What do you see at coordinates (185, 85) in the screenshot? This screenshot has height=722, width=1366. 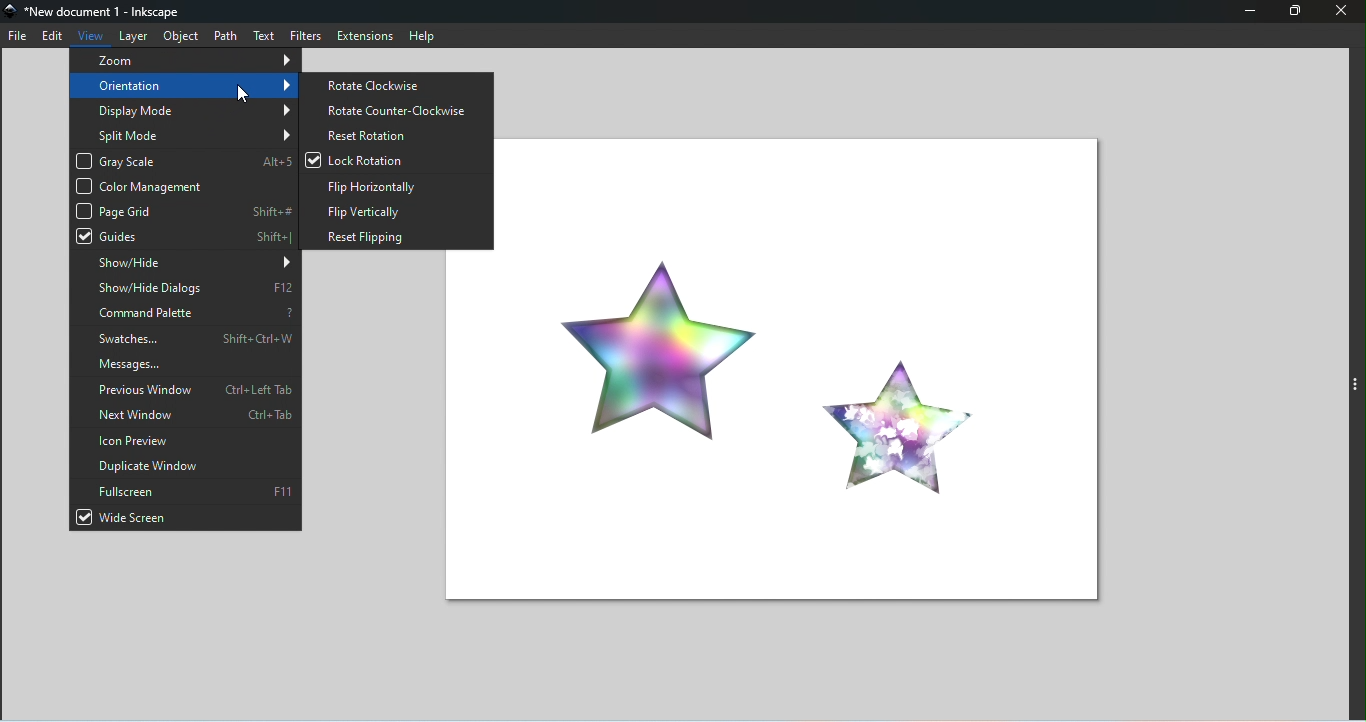 I see `Orientation` at bounding box center [185, 85].